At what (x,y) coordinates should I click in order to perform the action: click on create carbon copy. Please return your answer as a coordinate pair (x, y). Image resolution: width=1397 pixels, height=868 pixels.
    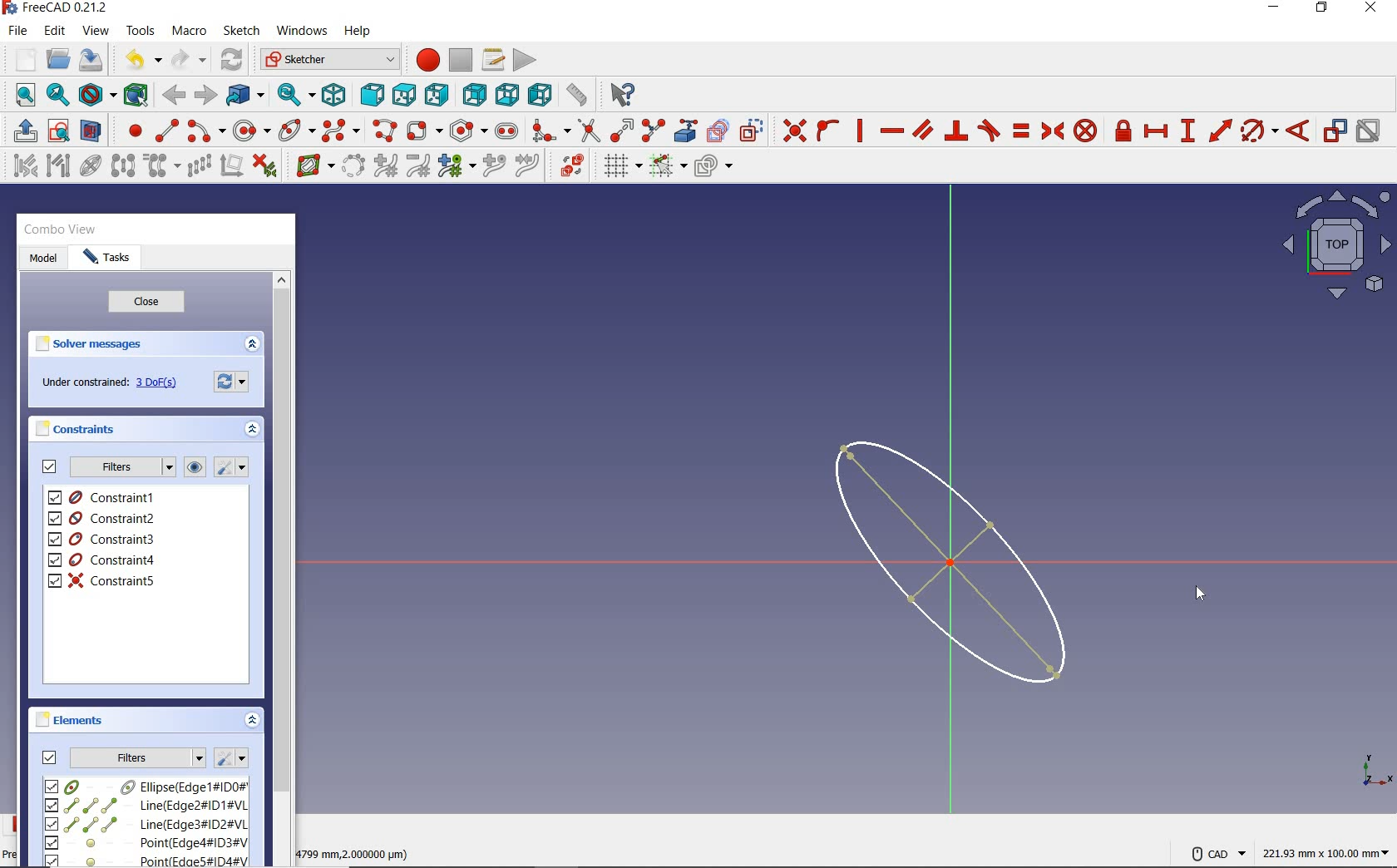
    Looking at the image, I should click on (718, 129).